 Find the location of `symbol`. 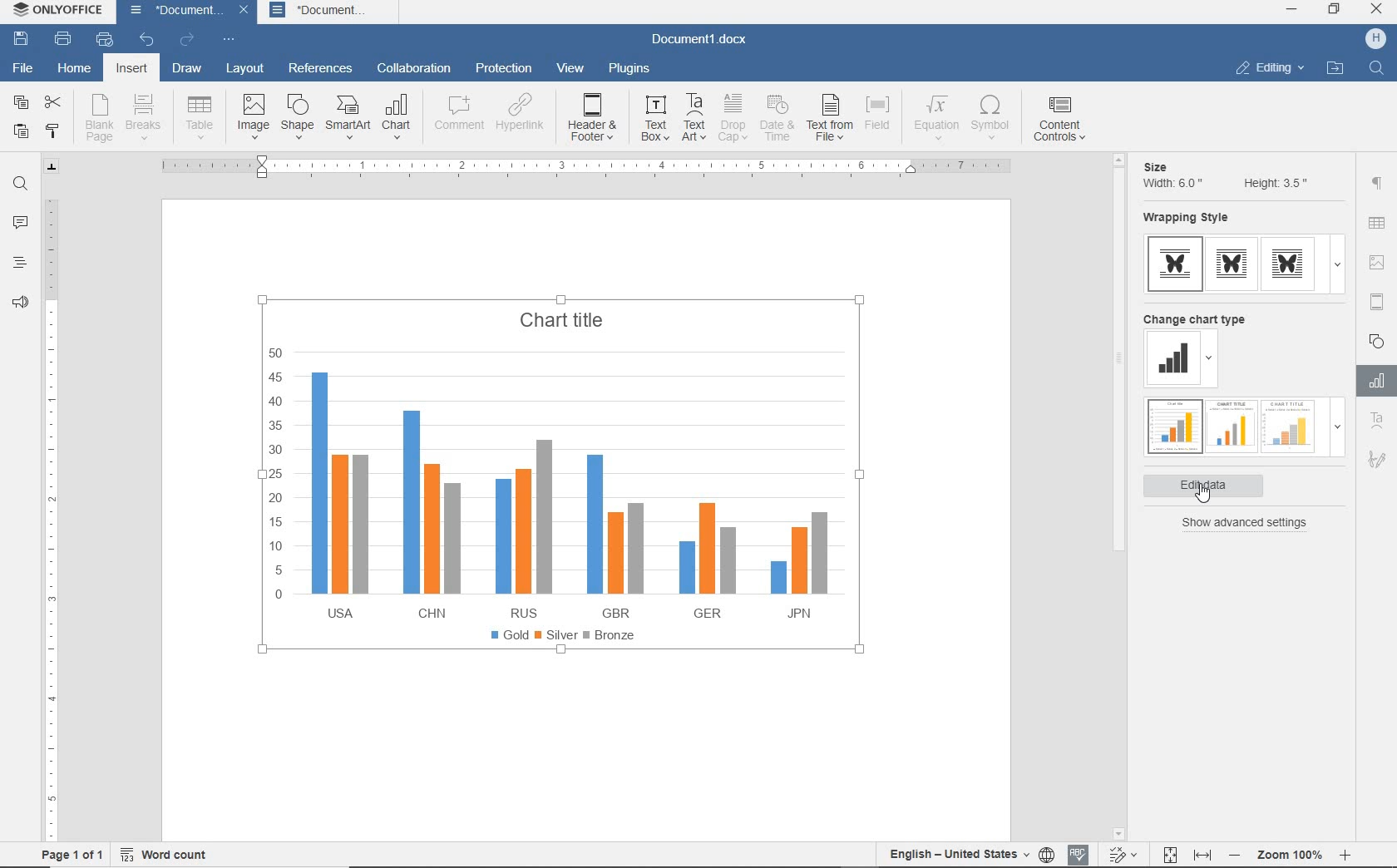

symbol is located at coordinates (993, 119).